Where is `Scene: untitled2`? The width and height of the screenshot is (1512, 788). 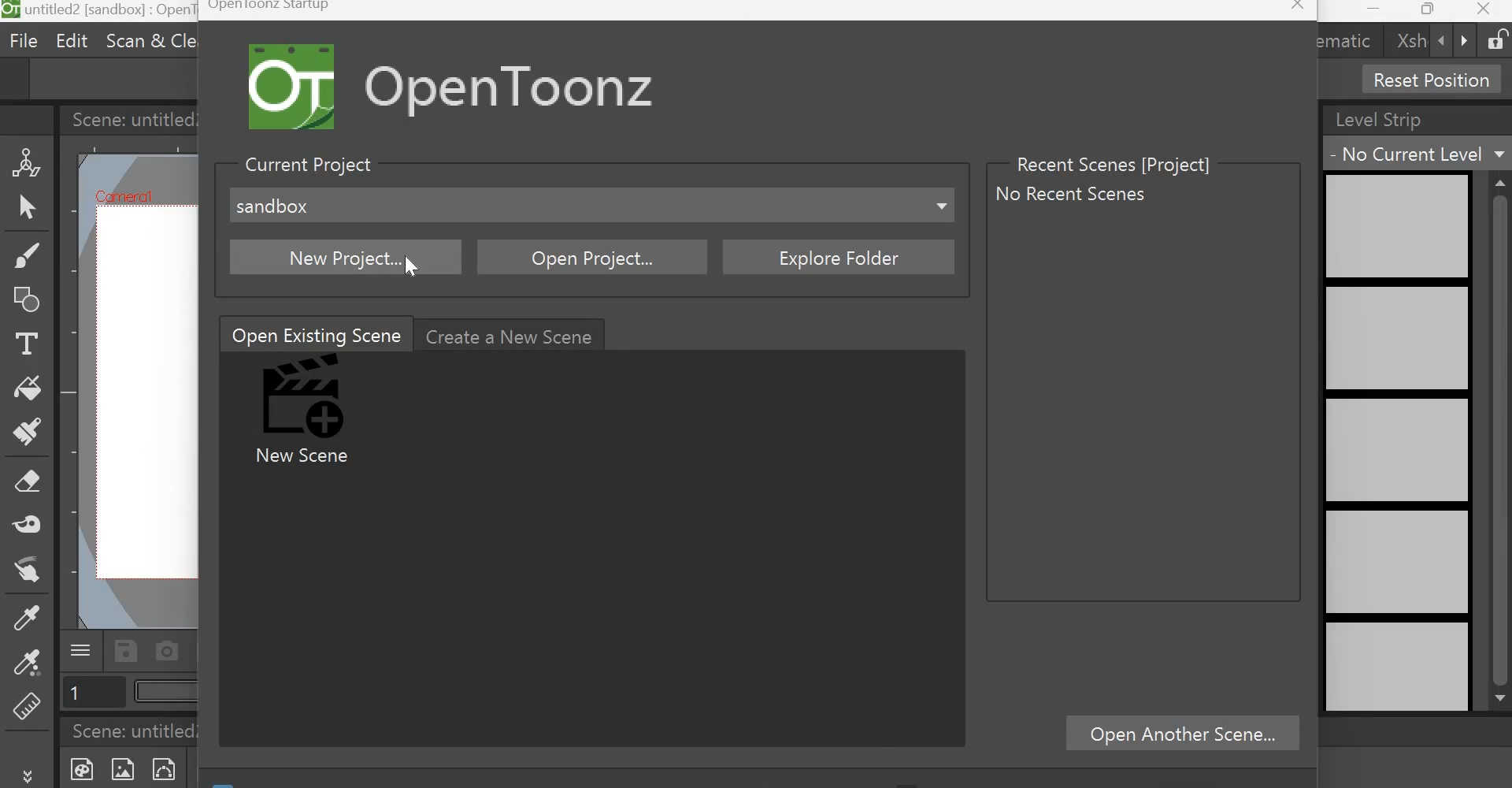 Scene: untitled2 is located at coordinates (129, 118).